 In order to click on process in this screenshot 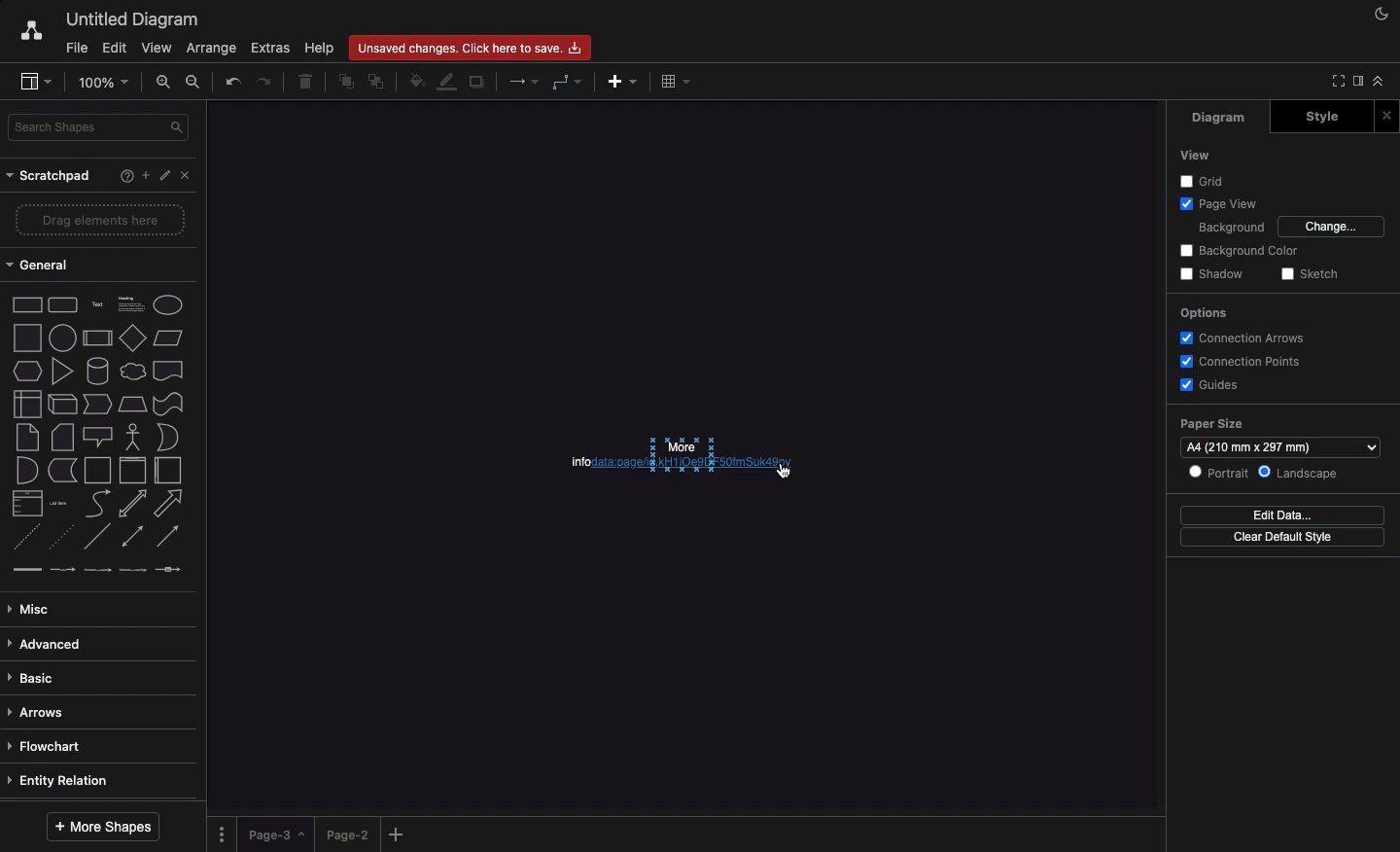, I will do `click(97, 338)`.